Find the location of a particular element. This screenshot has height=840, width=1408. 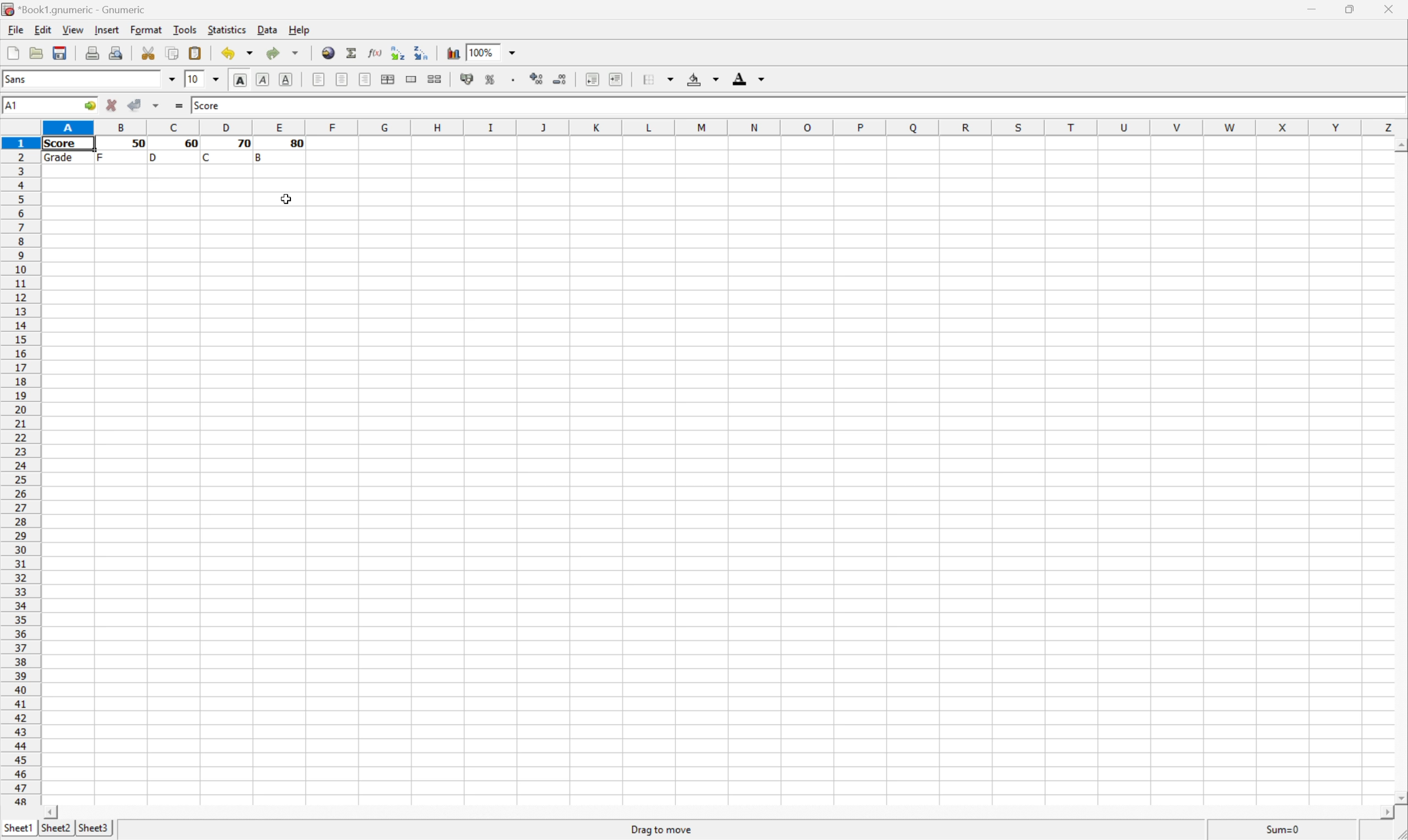

Print current file is located at coordinates (90, 53).